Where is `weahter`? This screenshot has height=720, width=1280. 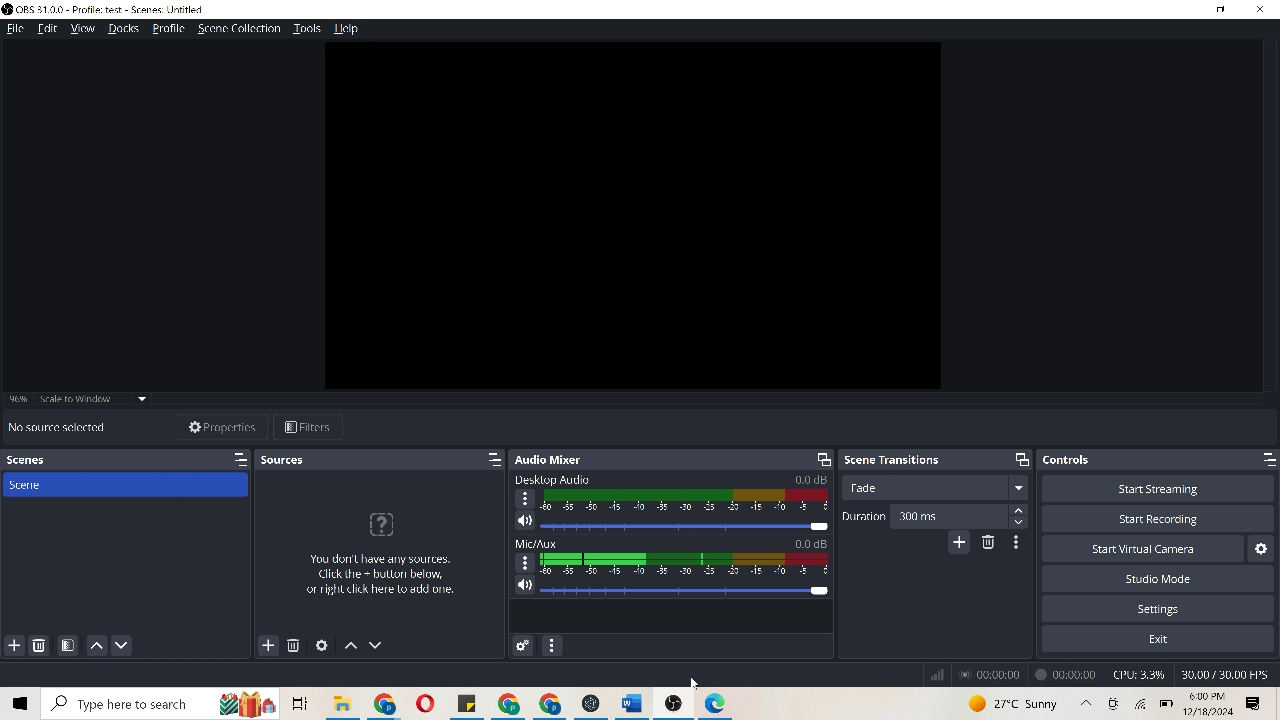
weahter is located at coordinates (1014, 702).